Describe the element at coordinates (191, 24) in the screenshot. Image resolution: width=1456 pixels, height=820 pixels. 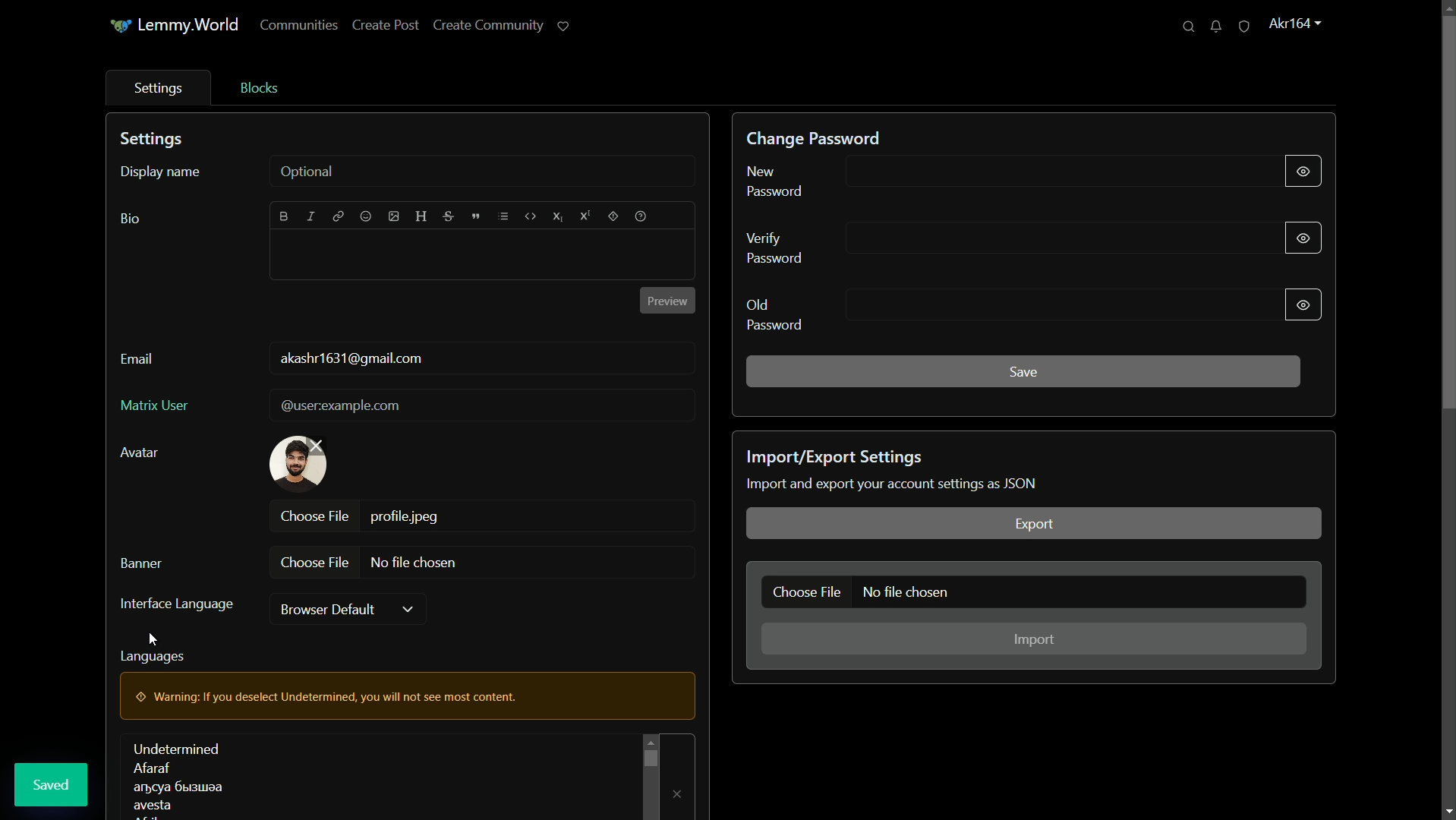
I see `server name` at that location.